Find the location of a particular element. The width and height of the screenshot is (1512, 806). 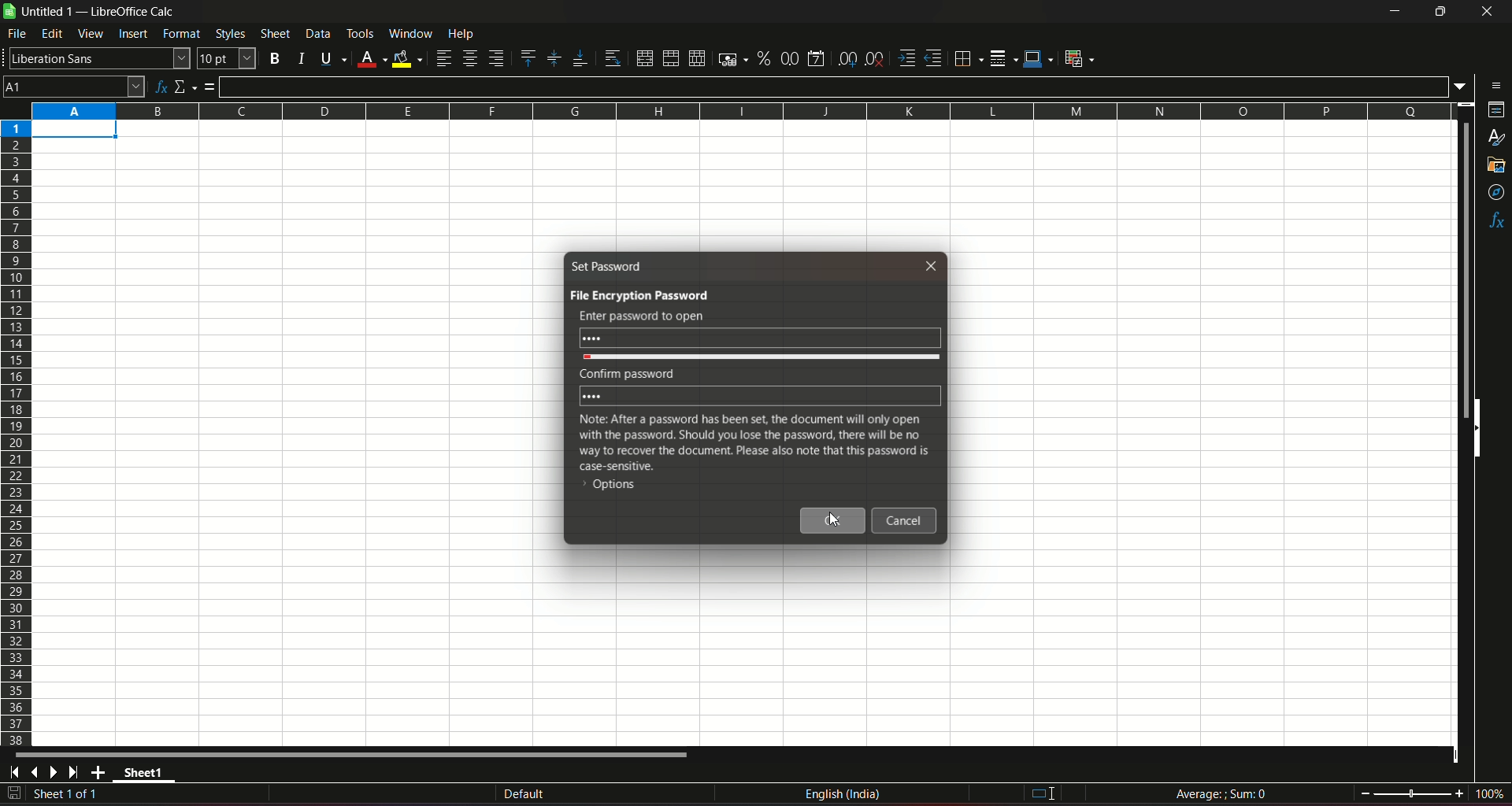

wrap text is located at coordinates (610, 57).